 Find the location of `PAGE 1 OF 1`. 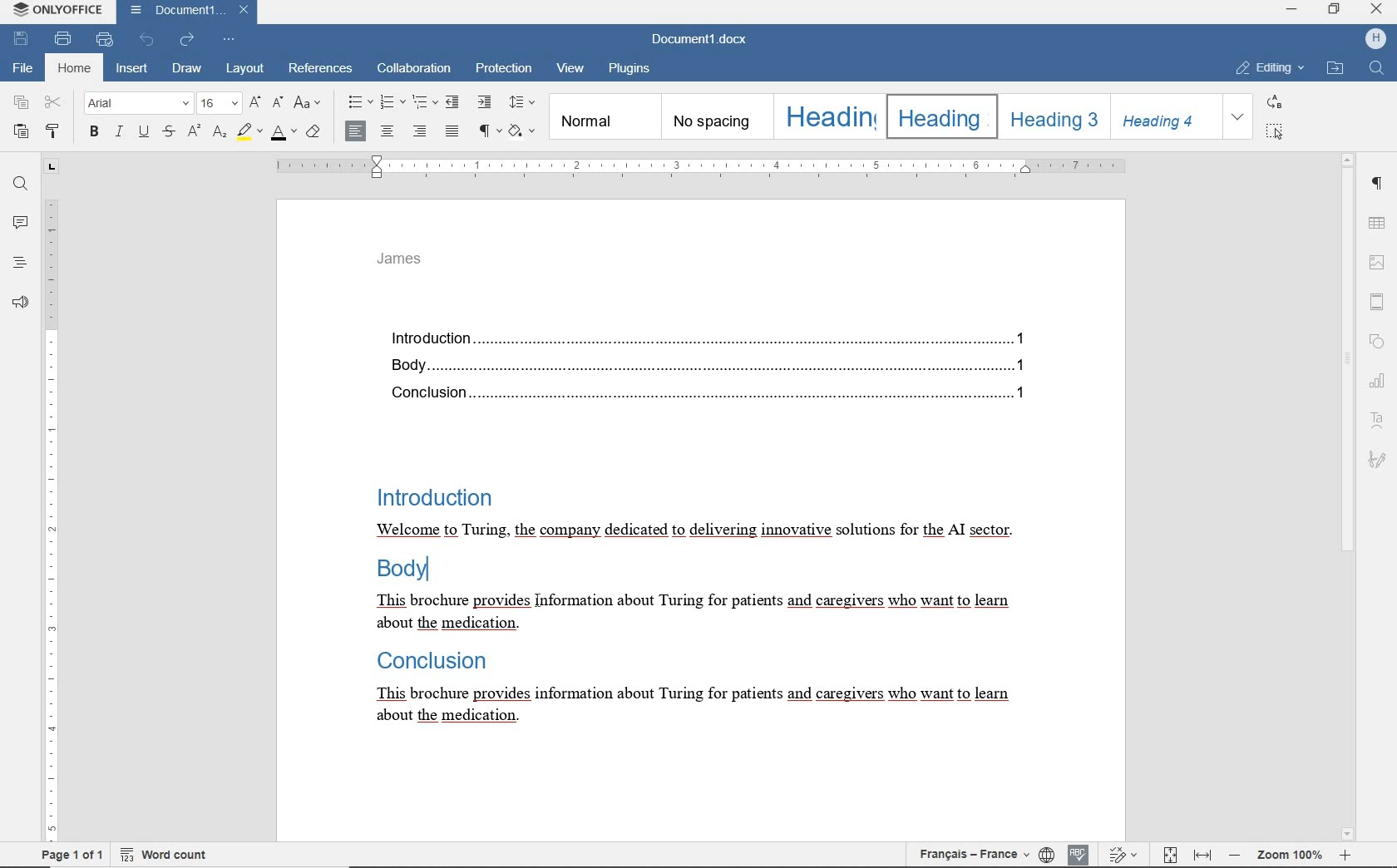

PAGE 1 OF 1 is located at coordinates (69, 855).